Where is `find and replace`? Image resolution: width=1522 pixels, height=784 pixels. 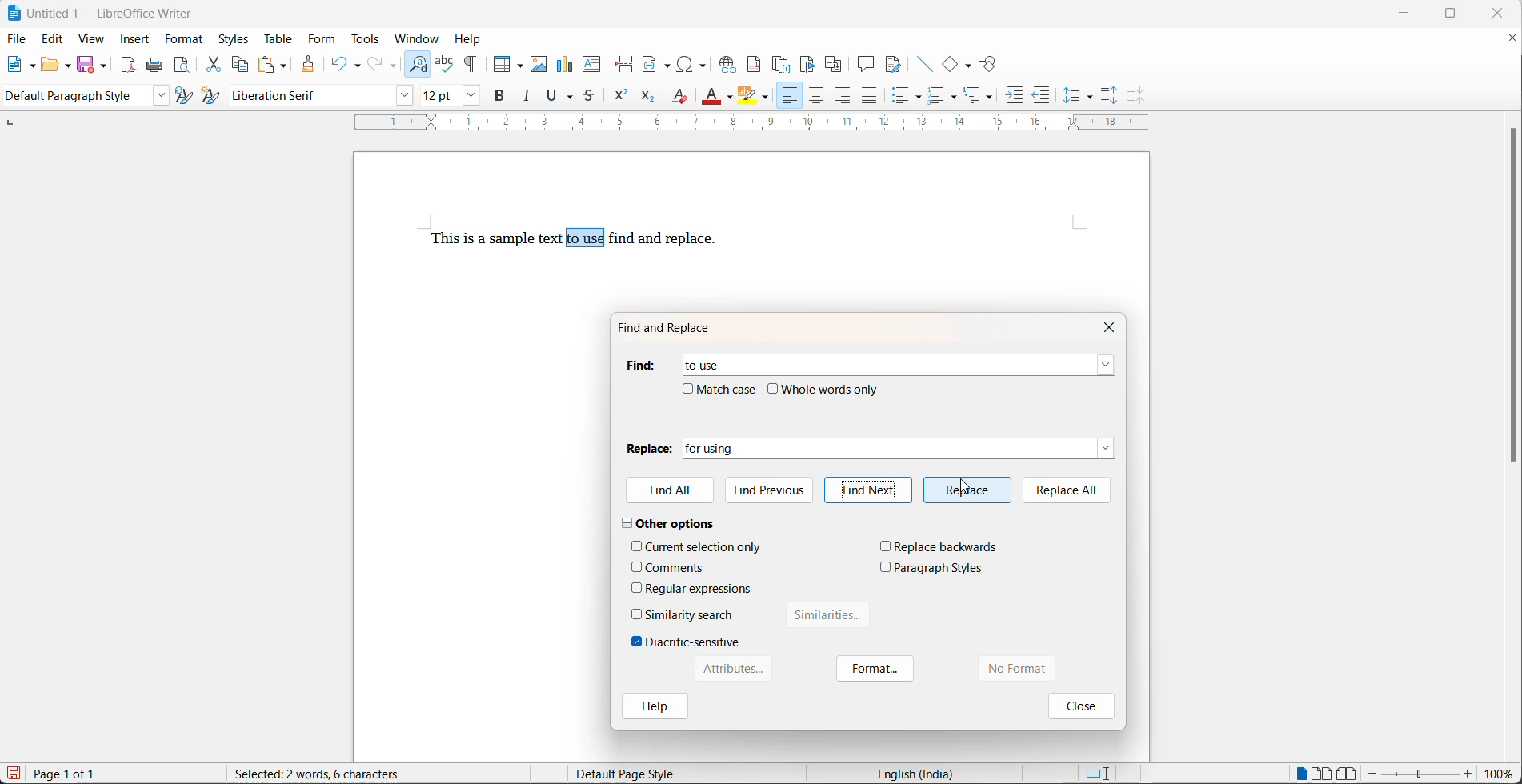 find and replace is located at coordinates (419, 62).